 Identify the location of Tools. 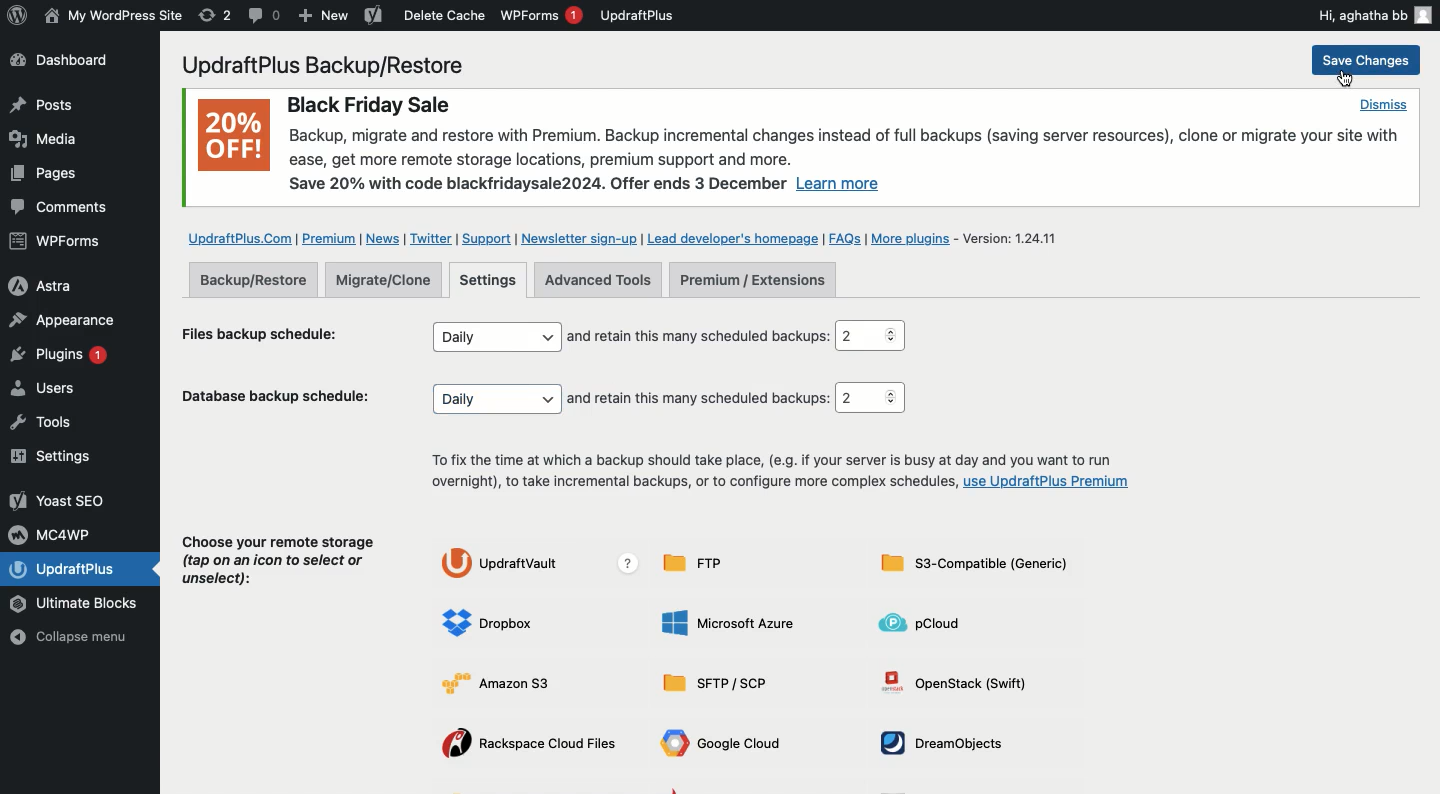
(54, 422).